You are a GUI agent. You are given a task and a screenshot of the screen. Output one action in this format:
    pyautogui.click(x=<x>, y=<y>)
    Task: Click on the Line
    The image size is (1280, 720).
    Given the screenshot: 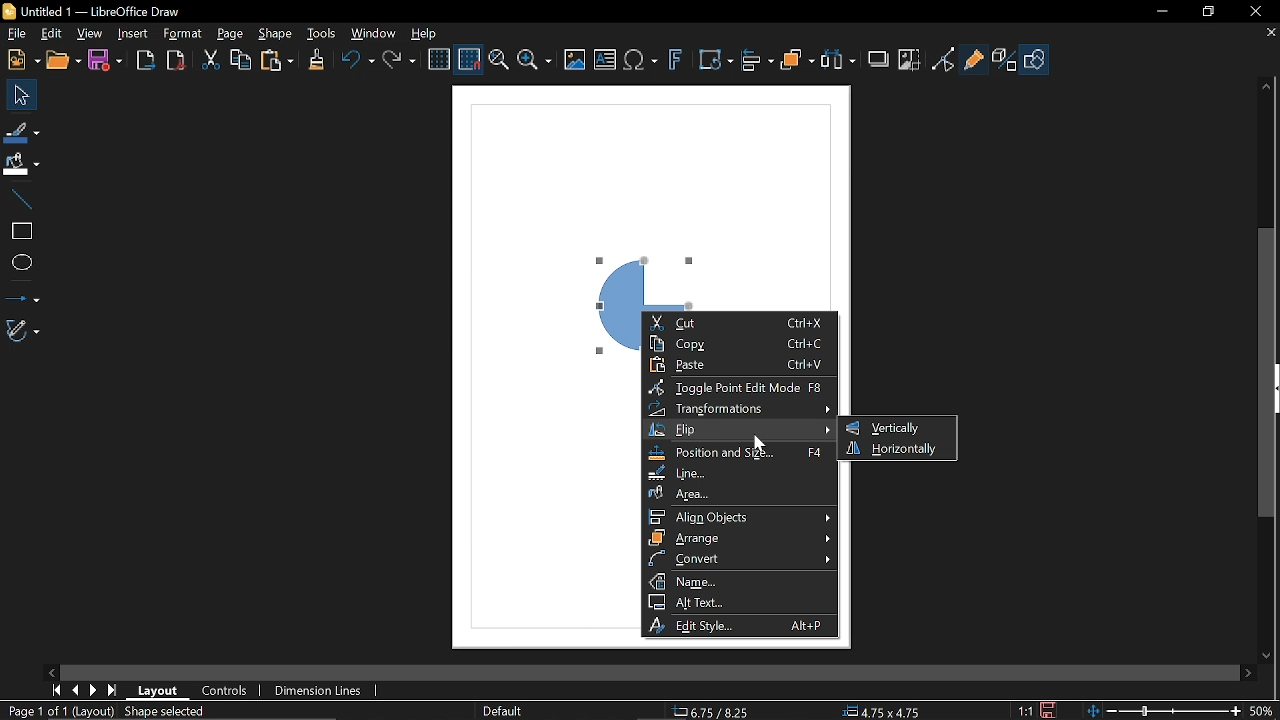 What is the action you would take?
    pyautogui.click(x=20, y=197)
    